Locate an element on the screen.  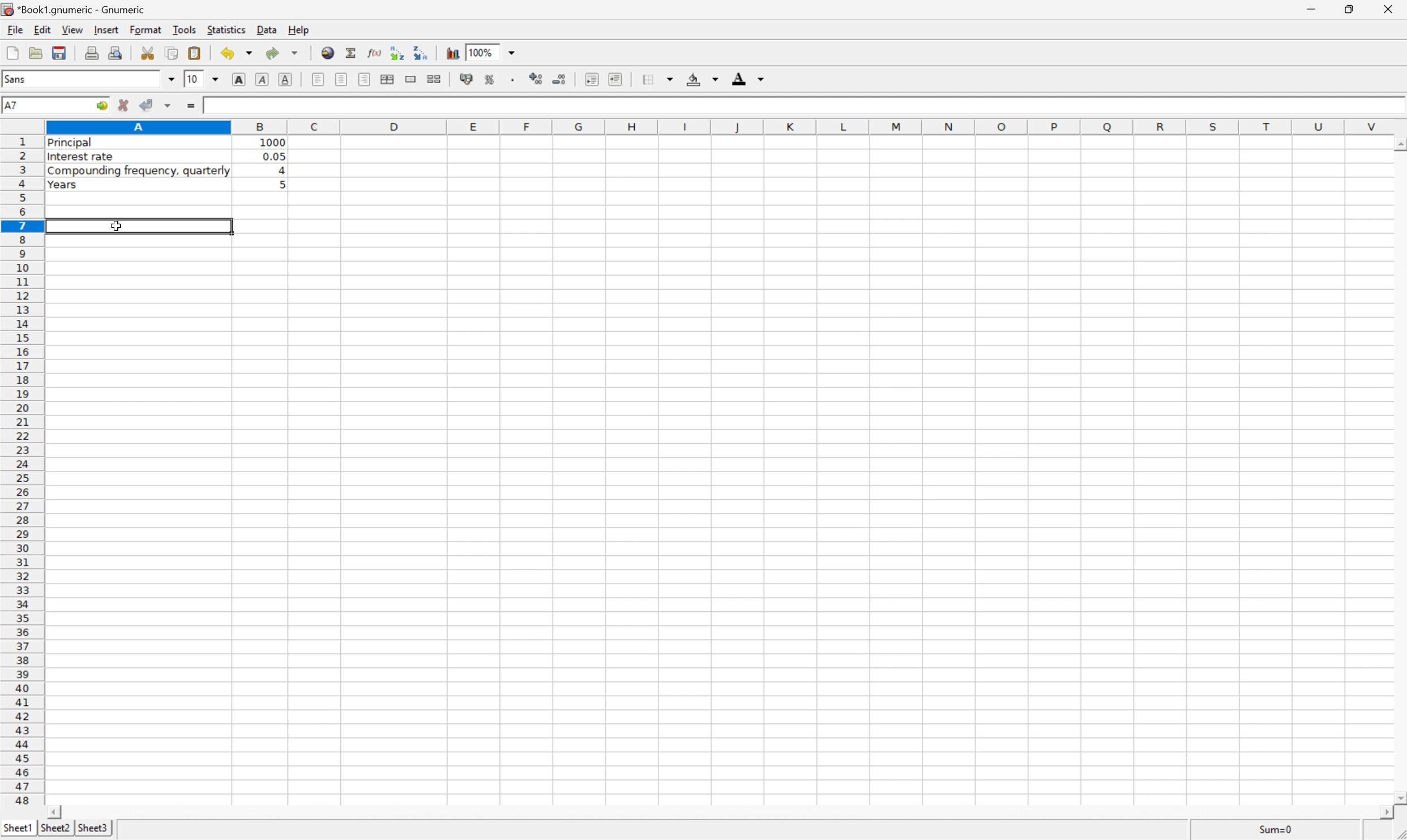
borders is located at coordinates (658, 78).